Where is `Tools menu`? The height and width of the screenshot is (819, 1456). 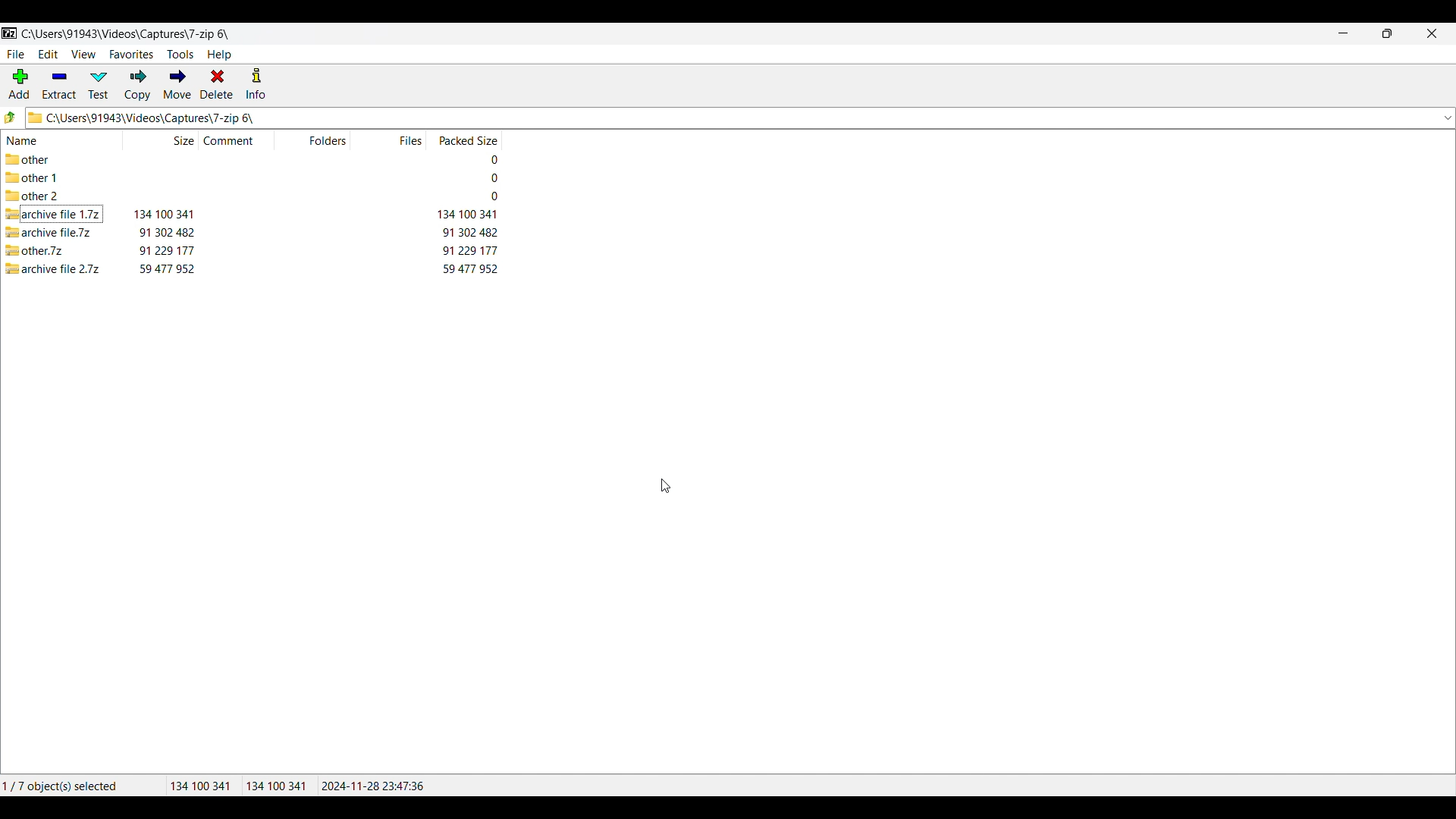 Tools menu is located at coordinates (180, 55).